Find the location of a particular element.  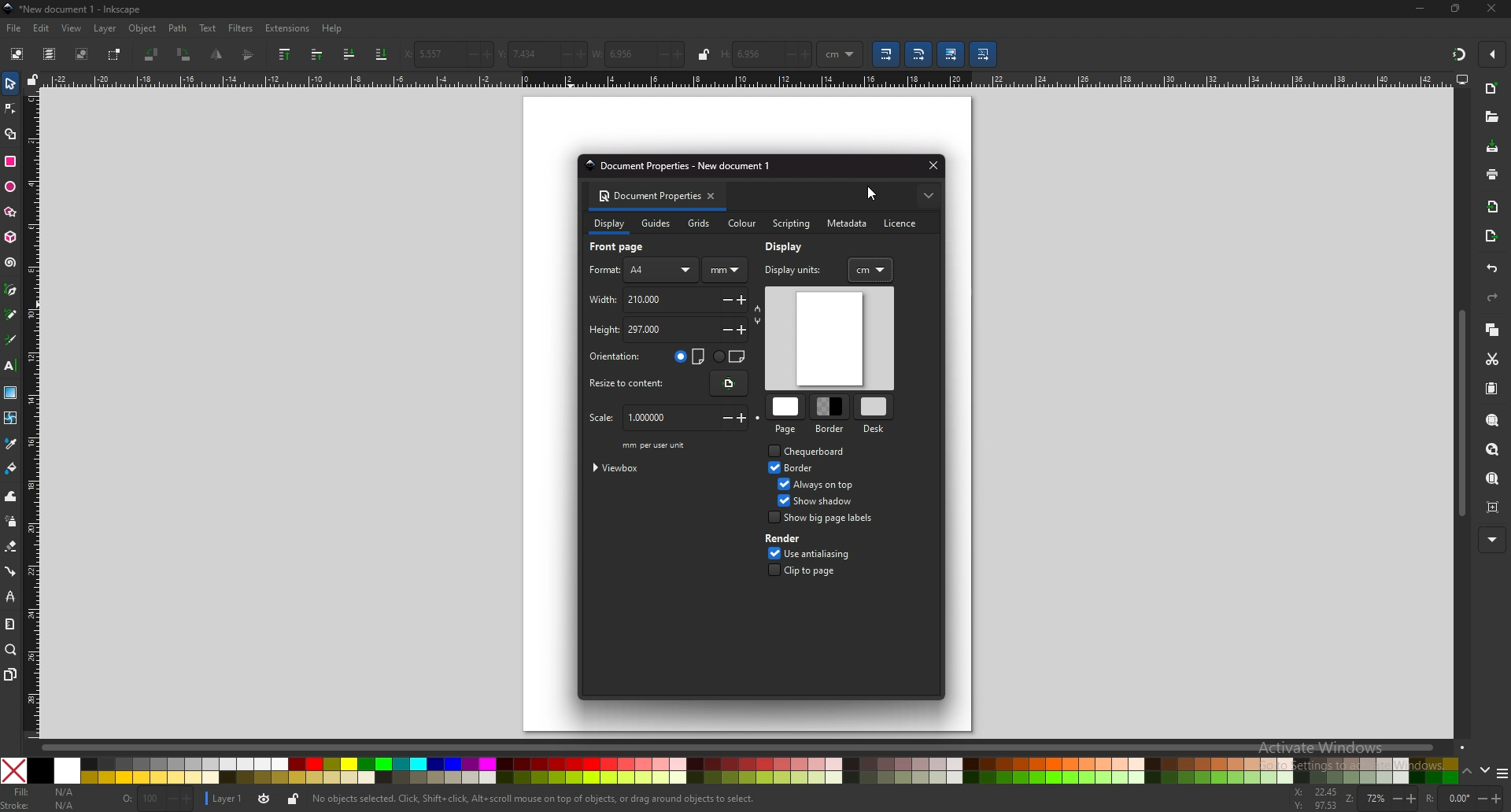

snapping is located at coordinates (1457, 54).